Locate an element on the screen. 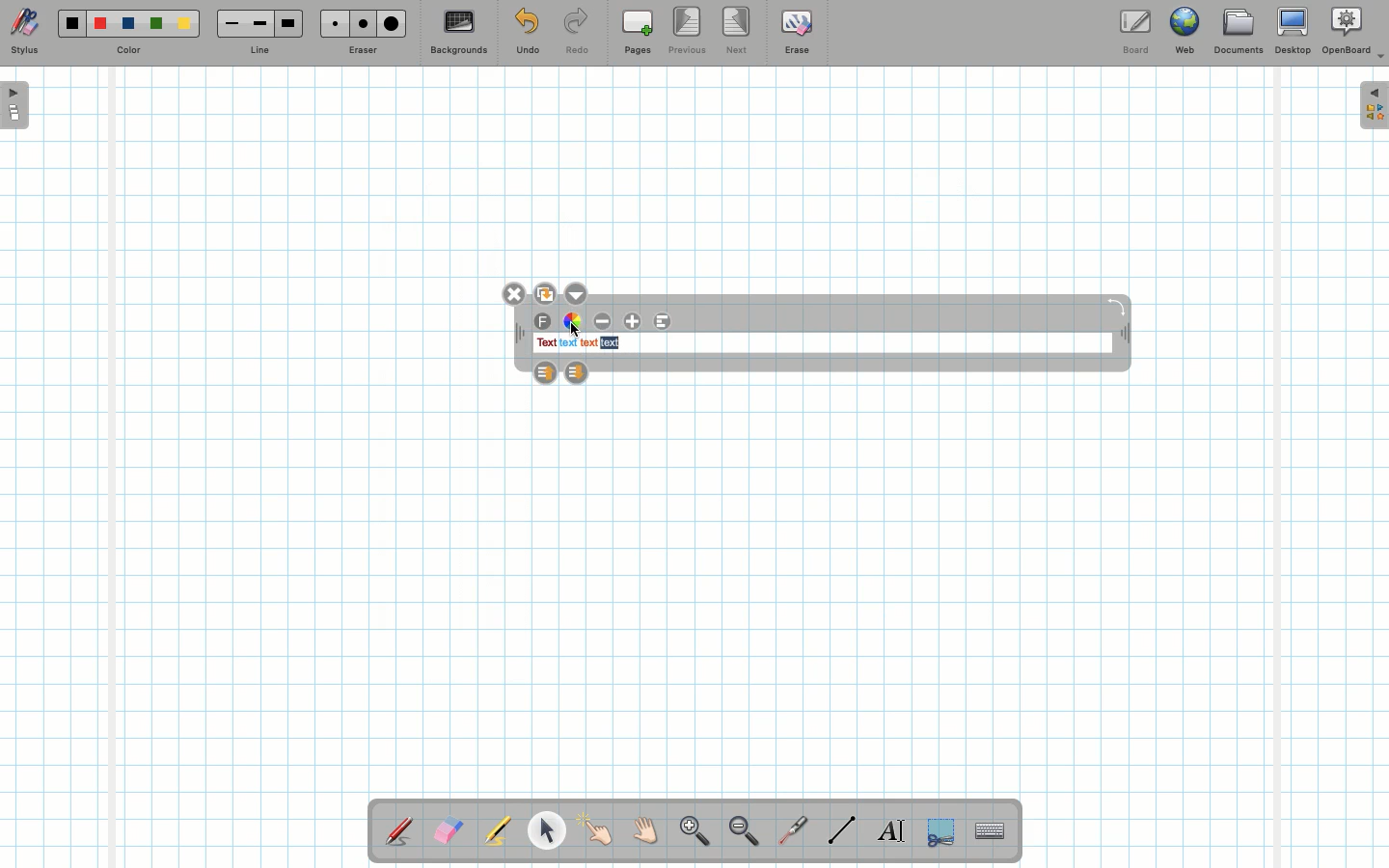  text is located at coordinates (545, 343).